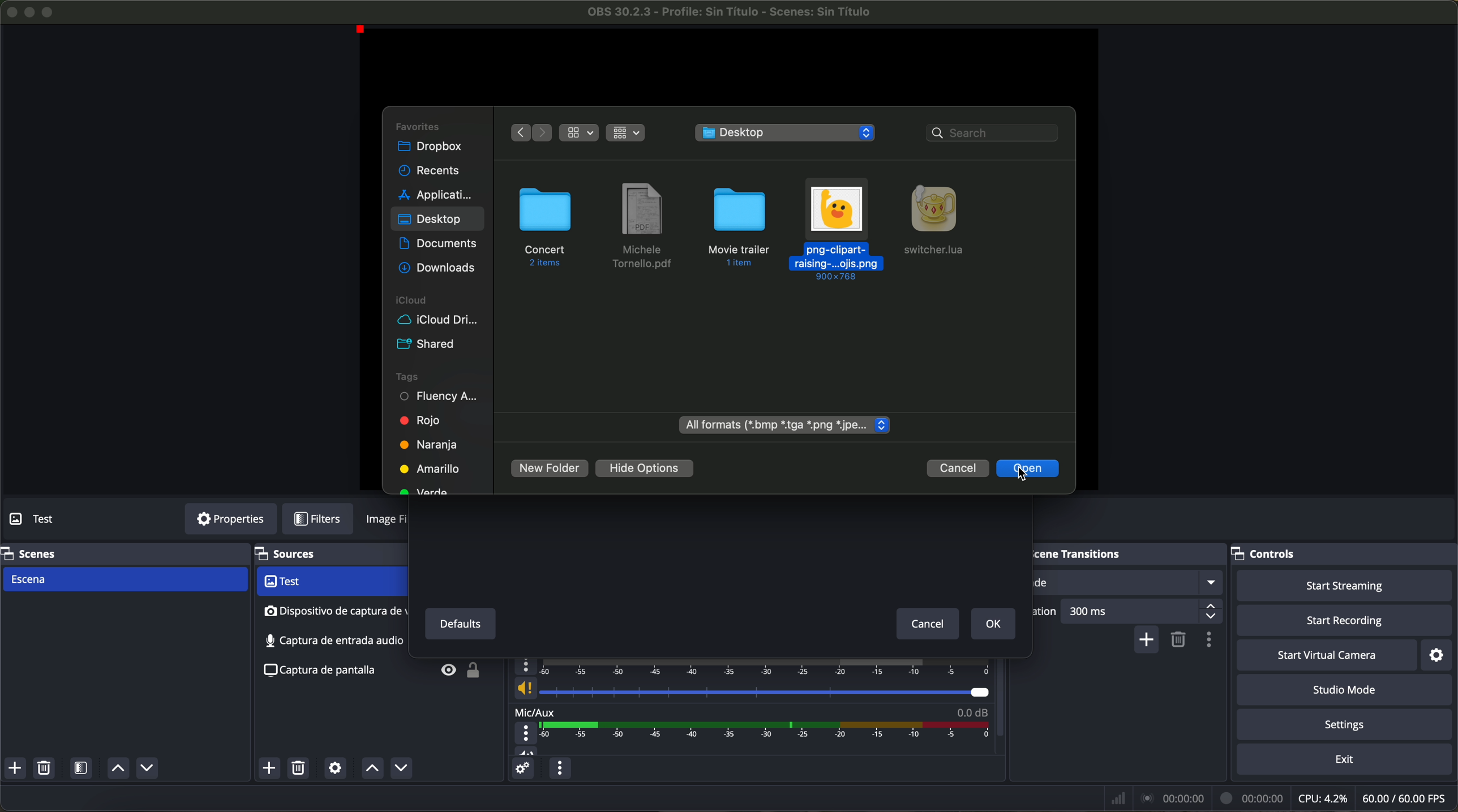 This screenshot has height=812, width=1458. What do you see at coordinates (1024, 475) in the screenshot?
I see `cursor` at bounding box center [1024, 475].